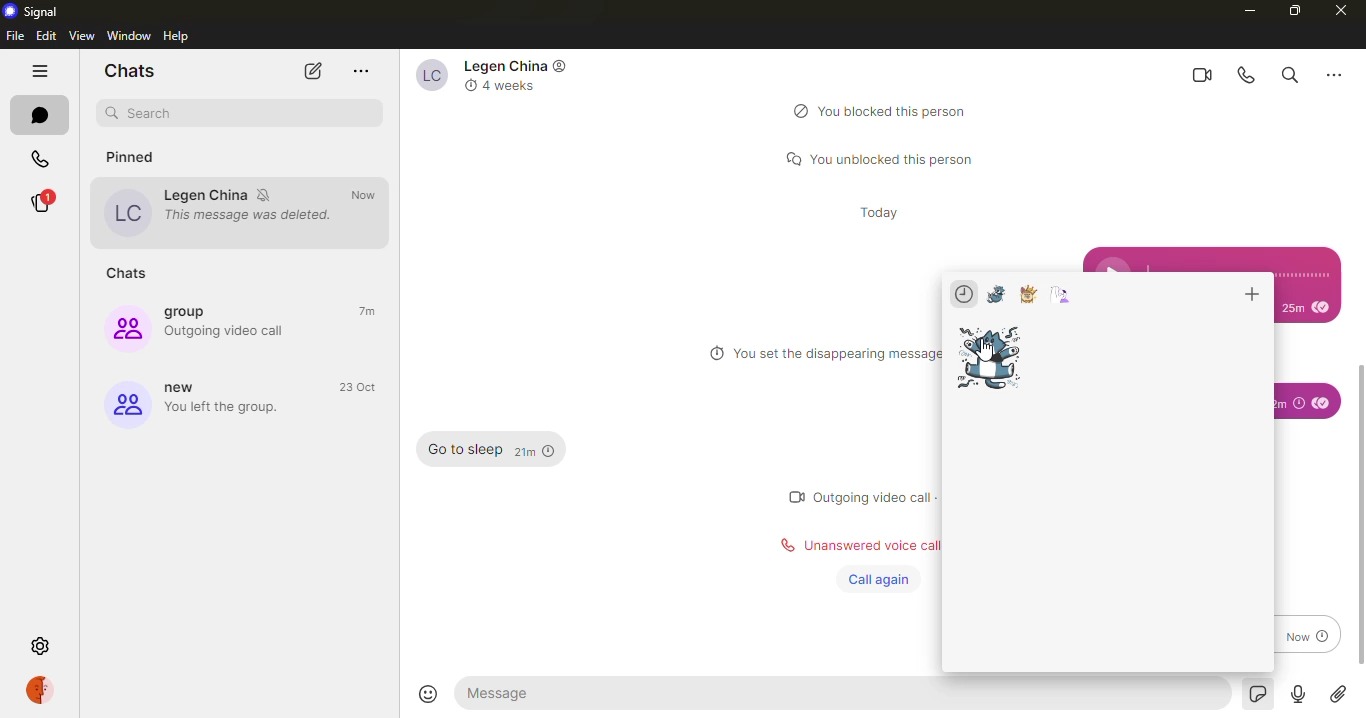  I want to click on time, so click(1292, 403).